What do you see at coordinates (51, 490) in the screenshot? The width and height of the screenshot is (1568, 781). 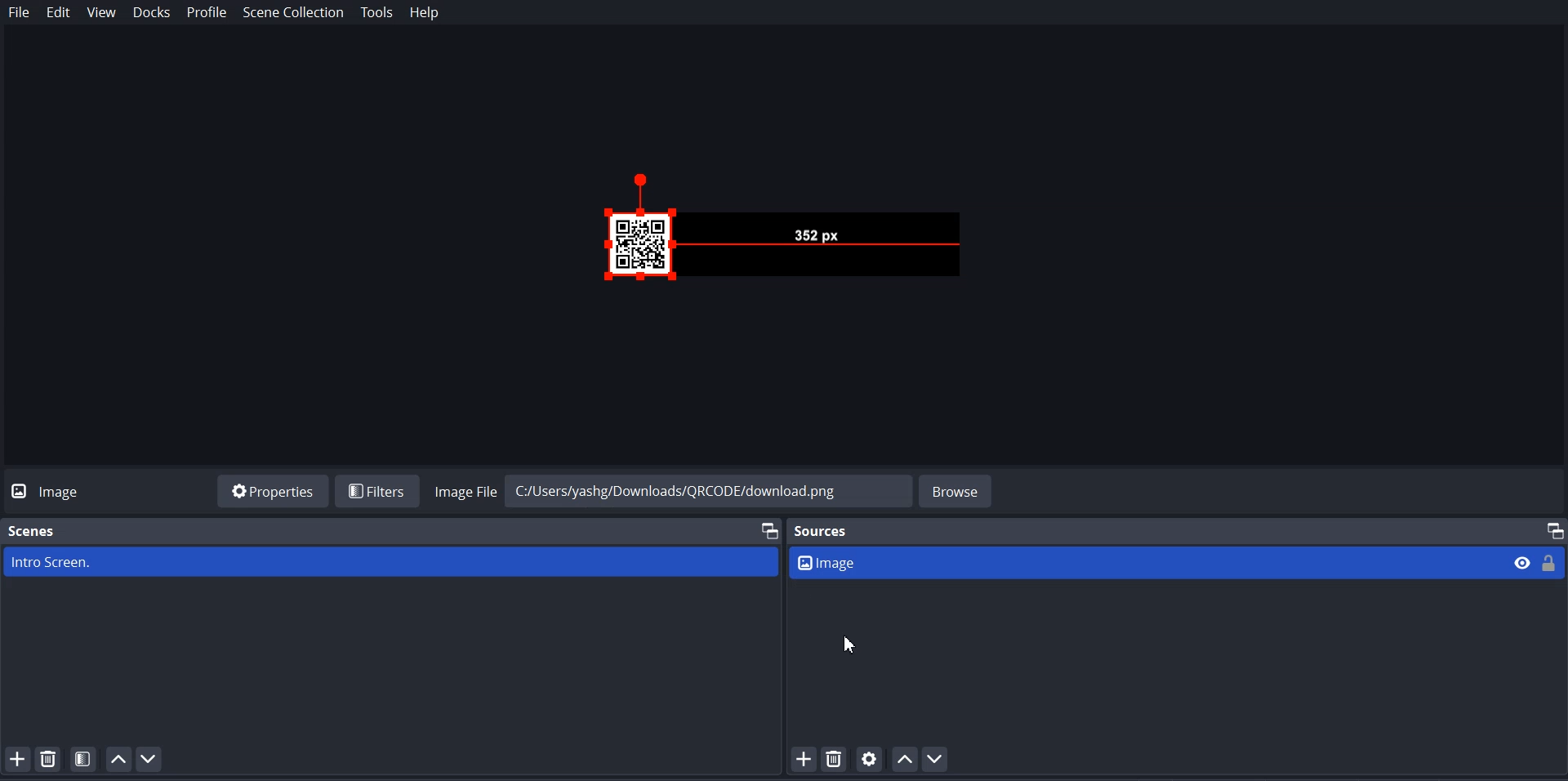 I see `Logo` at bounding box center [51, 490].